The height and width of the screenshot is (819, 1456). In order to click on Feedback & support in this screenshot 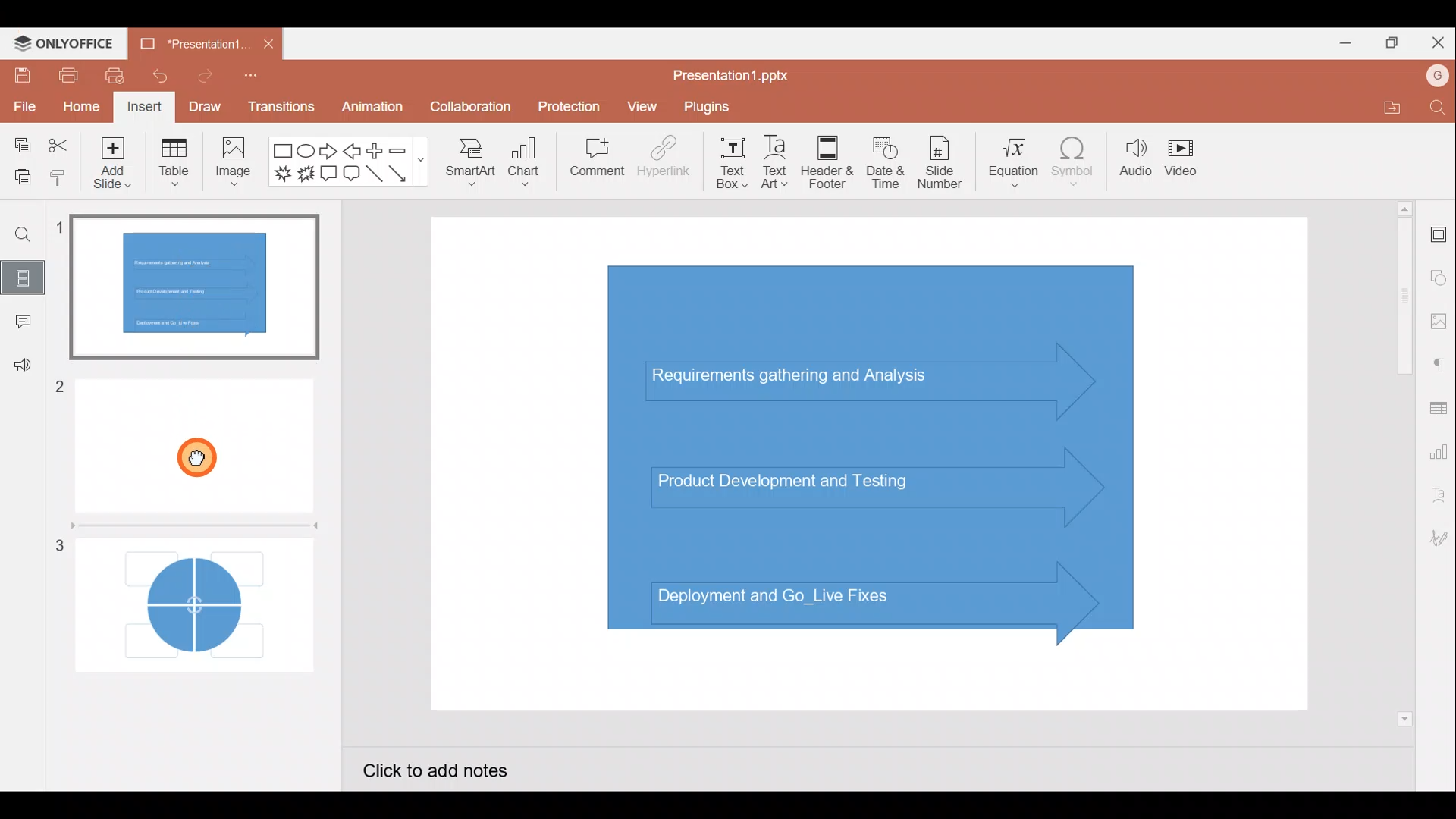, I will do `click(20, 370)`.